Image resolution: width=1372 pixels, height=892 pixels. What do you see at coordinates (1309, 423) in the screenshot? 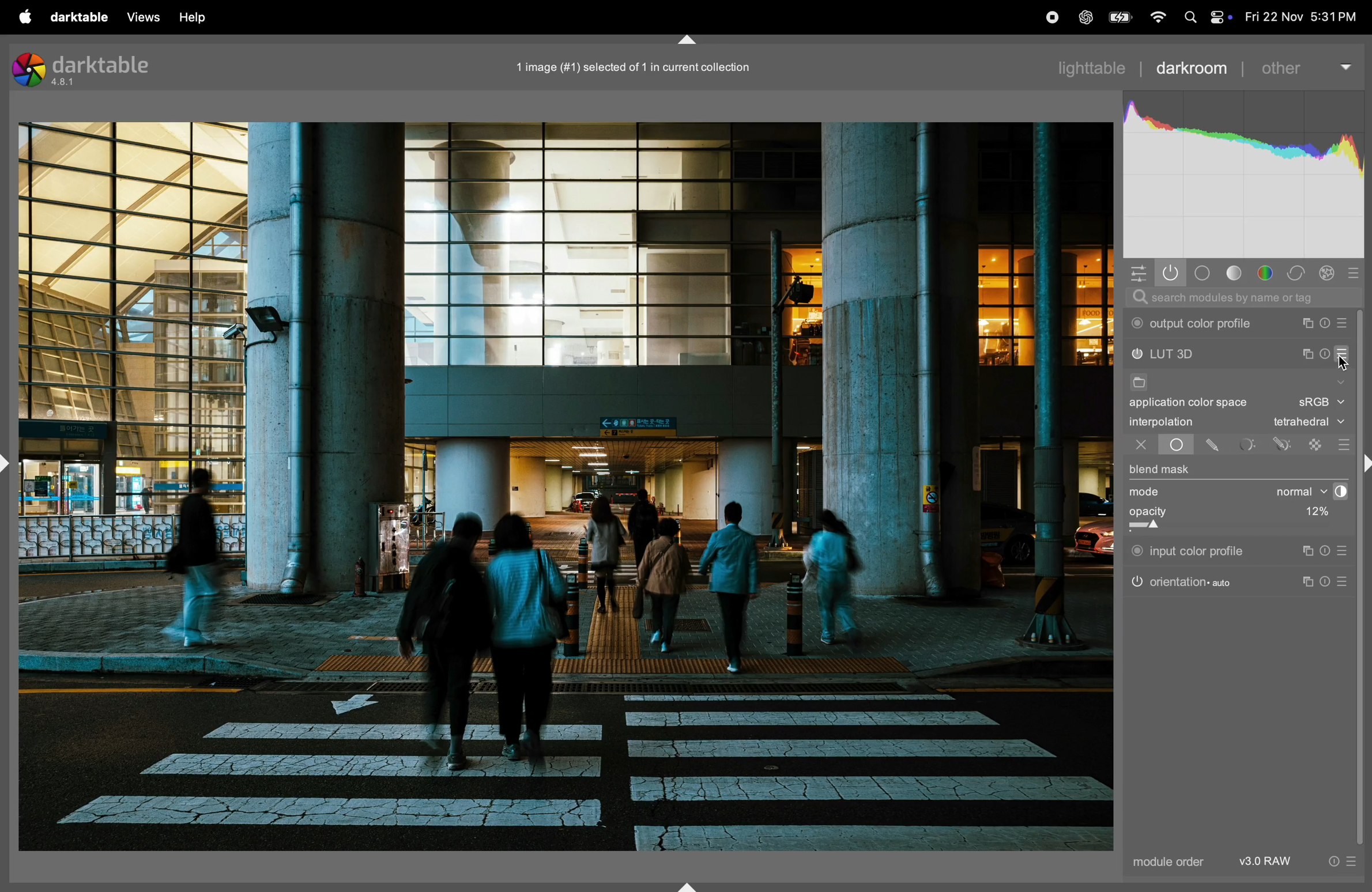
I see `tetrahedral` at bounding box center [1309, 423].